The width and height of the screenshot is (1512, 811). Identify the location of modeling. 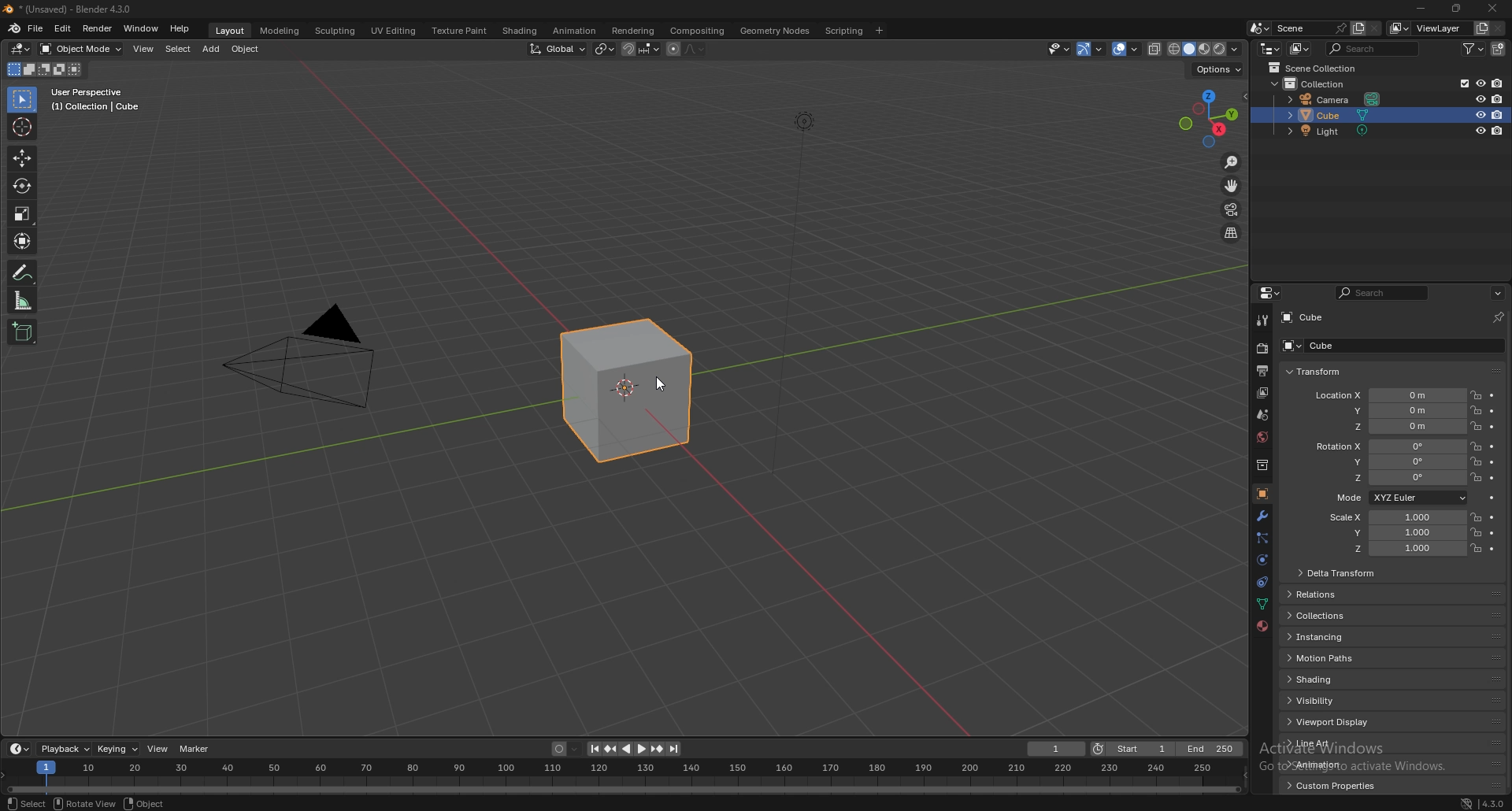
(280, 31).